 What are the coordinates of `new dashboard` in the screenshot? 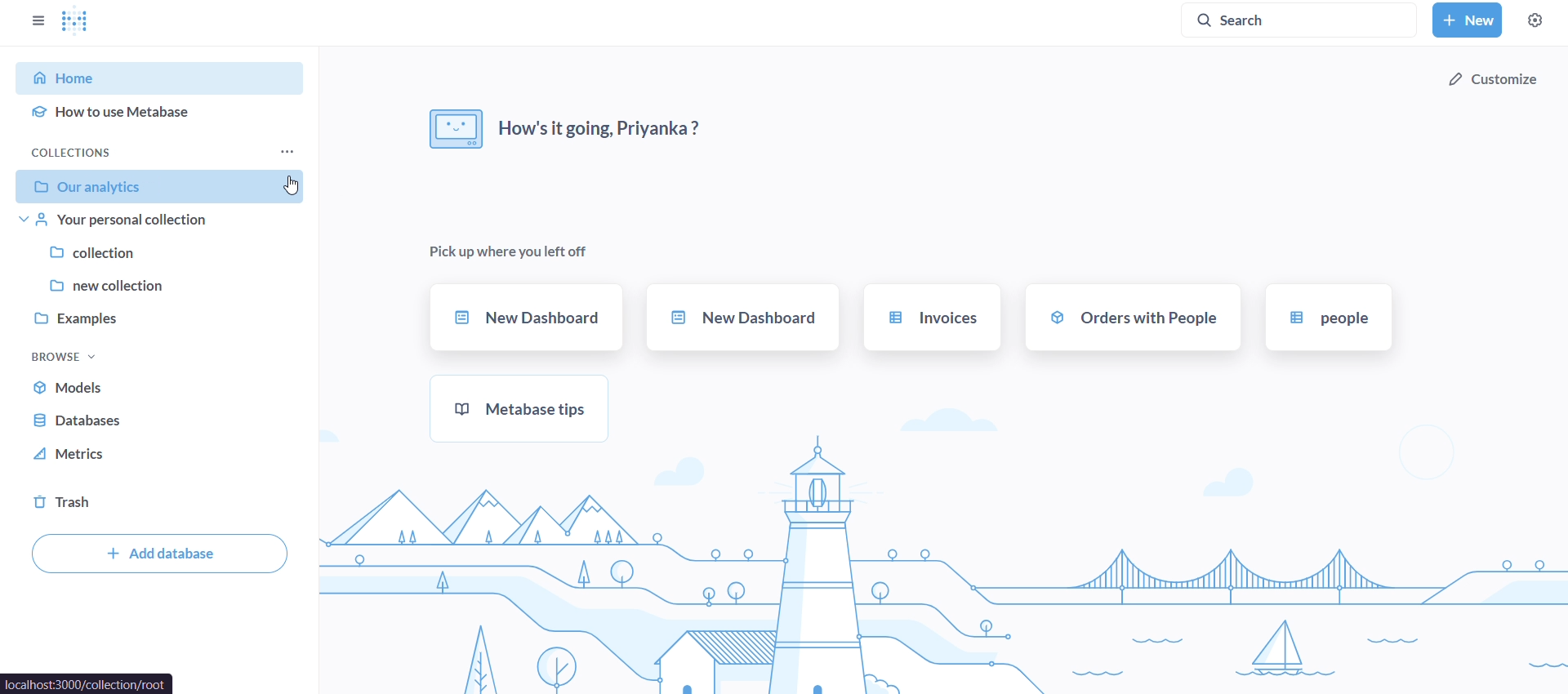 It's located at (526, 318).